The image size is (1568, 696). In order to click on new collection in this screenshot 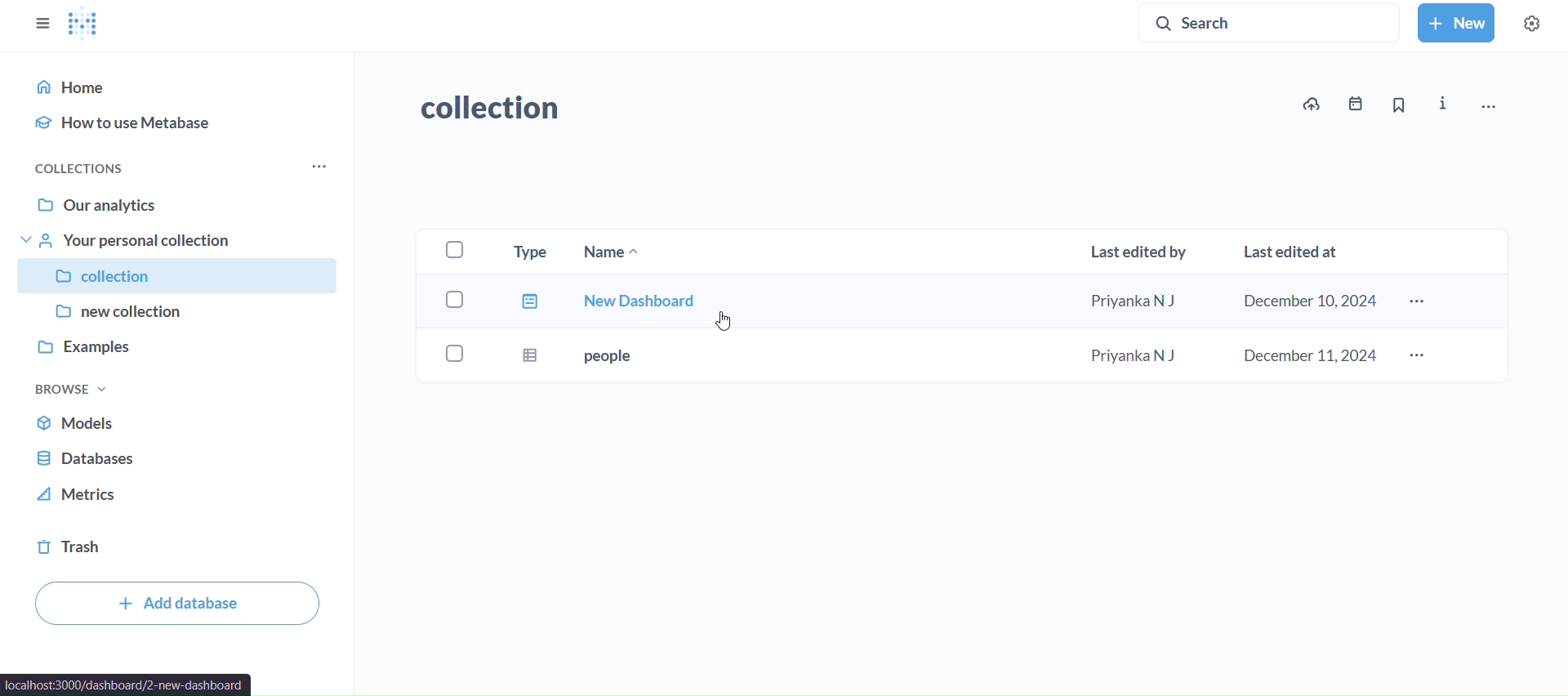, I will do `click(177, 315)`.